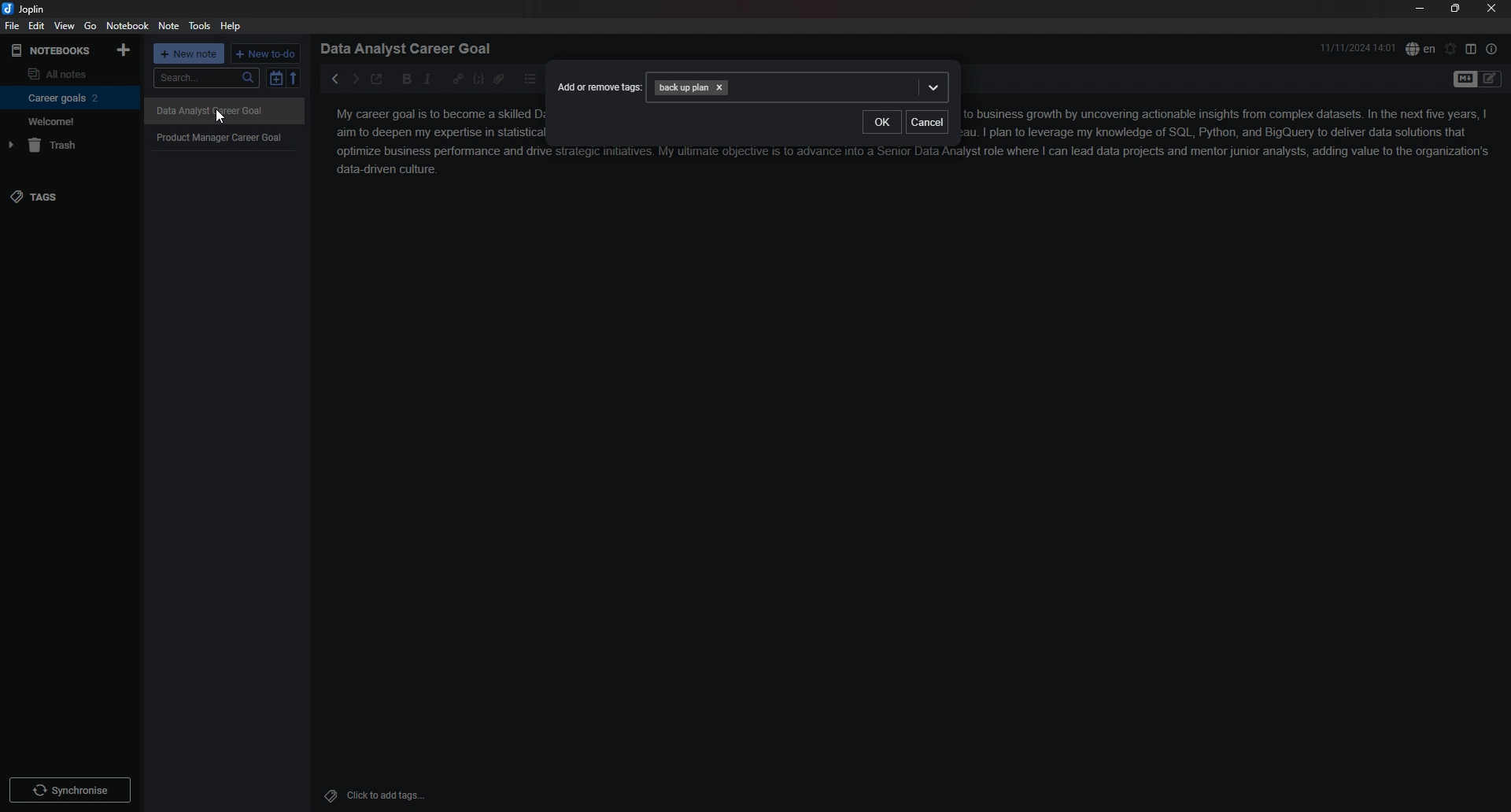  What do you see at coordinates (68, 145) in the screenshot?
I see `trash` at bounding box center [68, 145].